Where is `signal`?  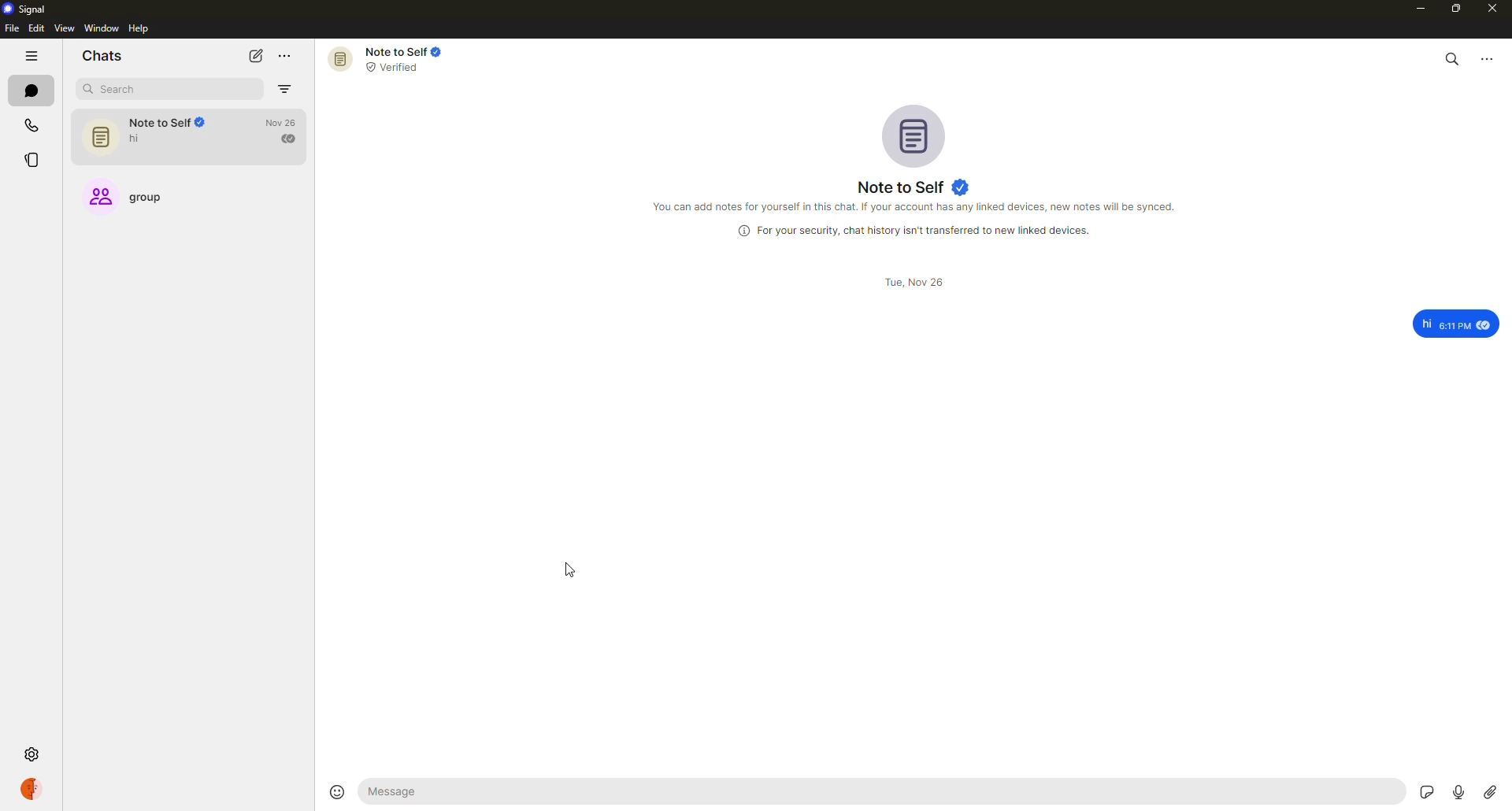 signal is located at coordinates (27, 9).